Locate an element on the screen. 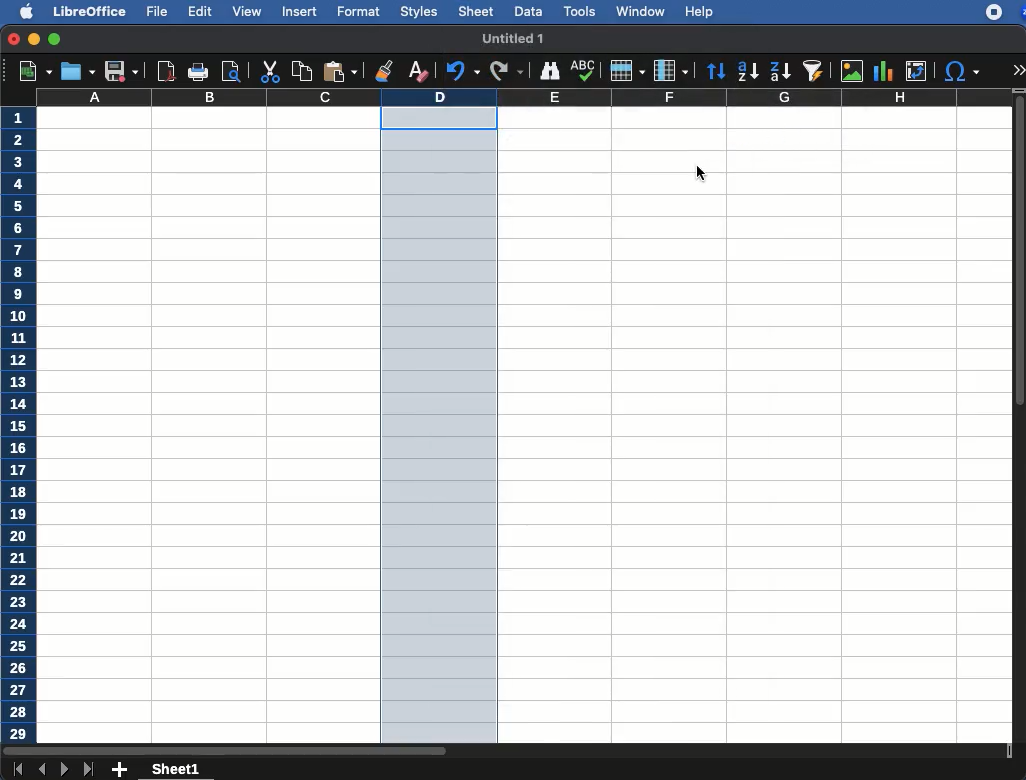  chart is located at coordinates (882, 70).